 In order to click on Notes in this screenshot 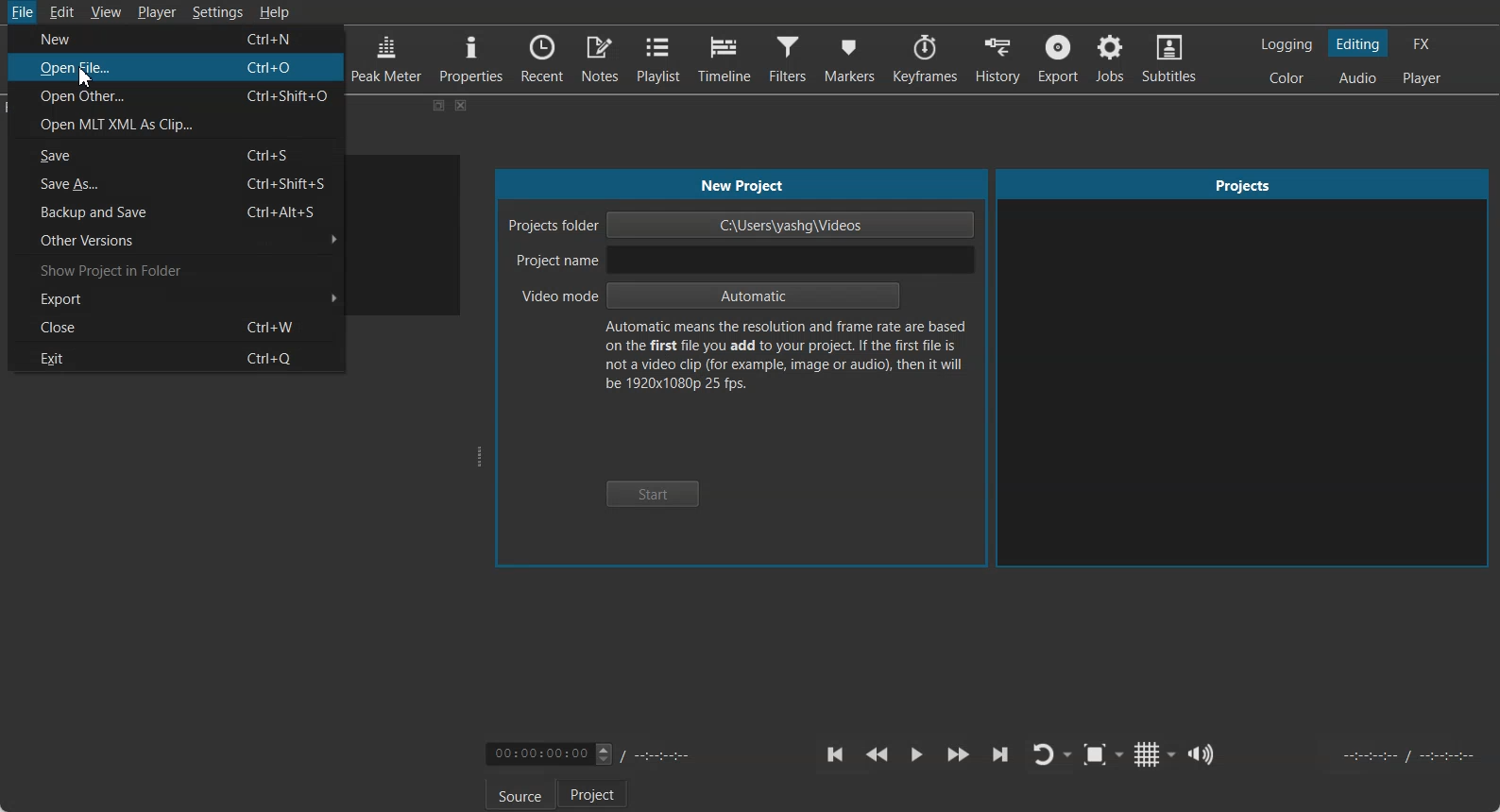, I will do `click(602, 58)`.